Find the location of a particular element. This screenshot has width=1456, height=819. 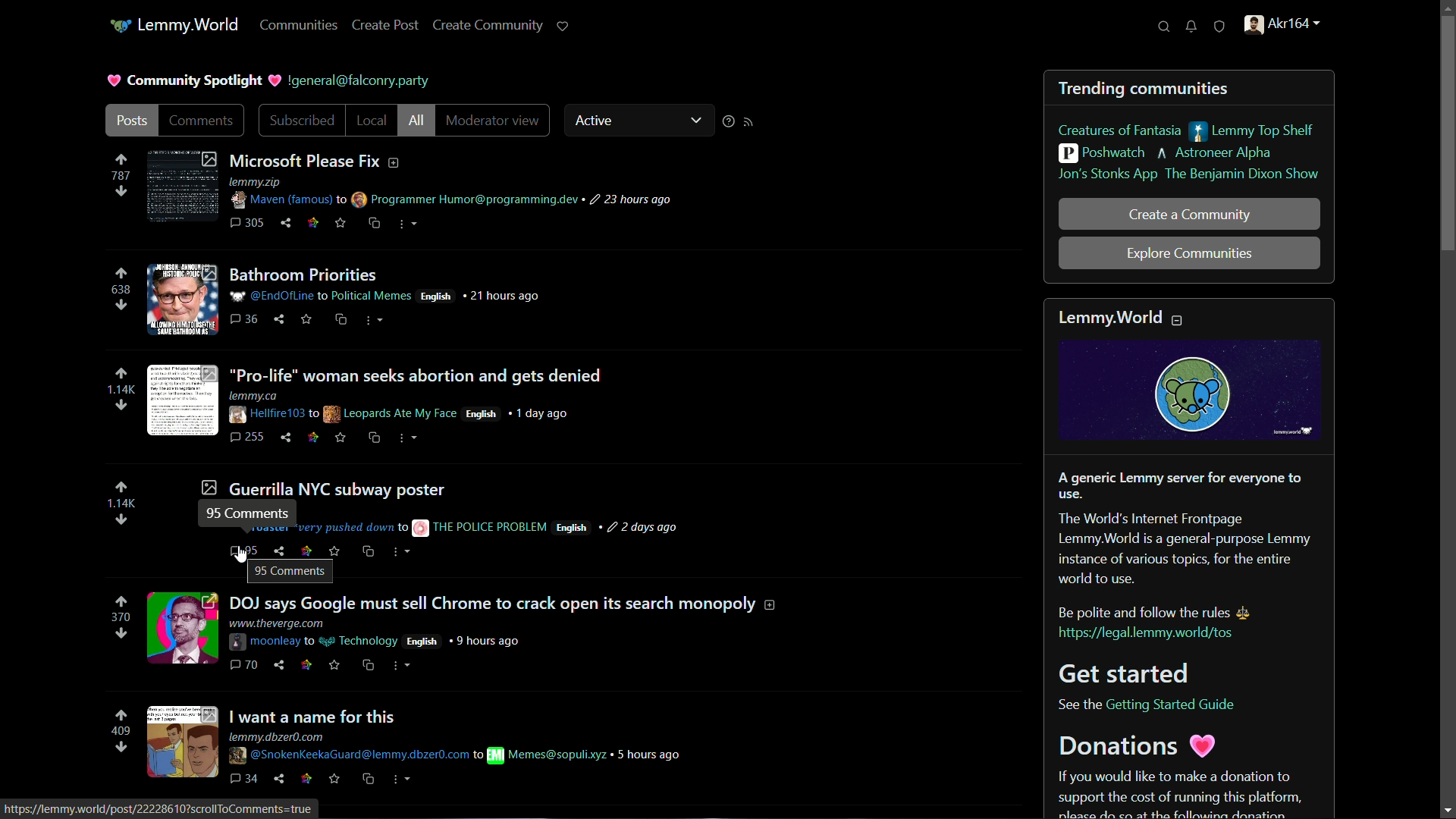

astroneer alpha is located at coordinates (1200, 155).